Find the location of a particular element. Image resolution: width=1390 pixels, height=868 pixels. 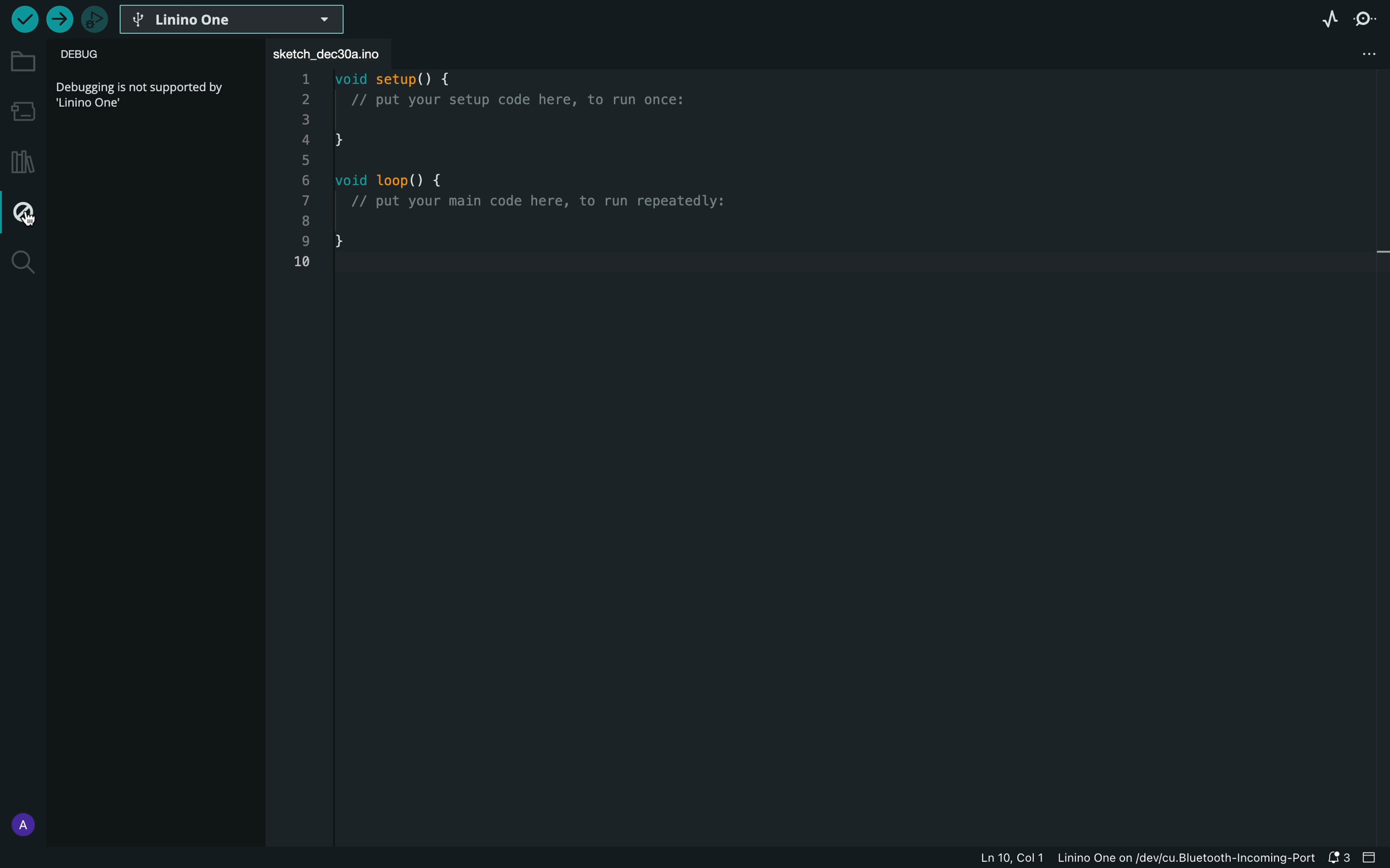

verify is located at coordinates (21, 18).